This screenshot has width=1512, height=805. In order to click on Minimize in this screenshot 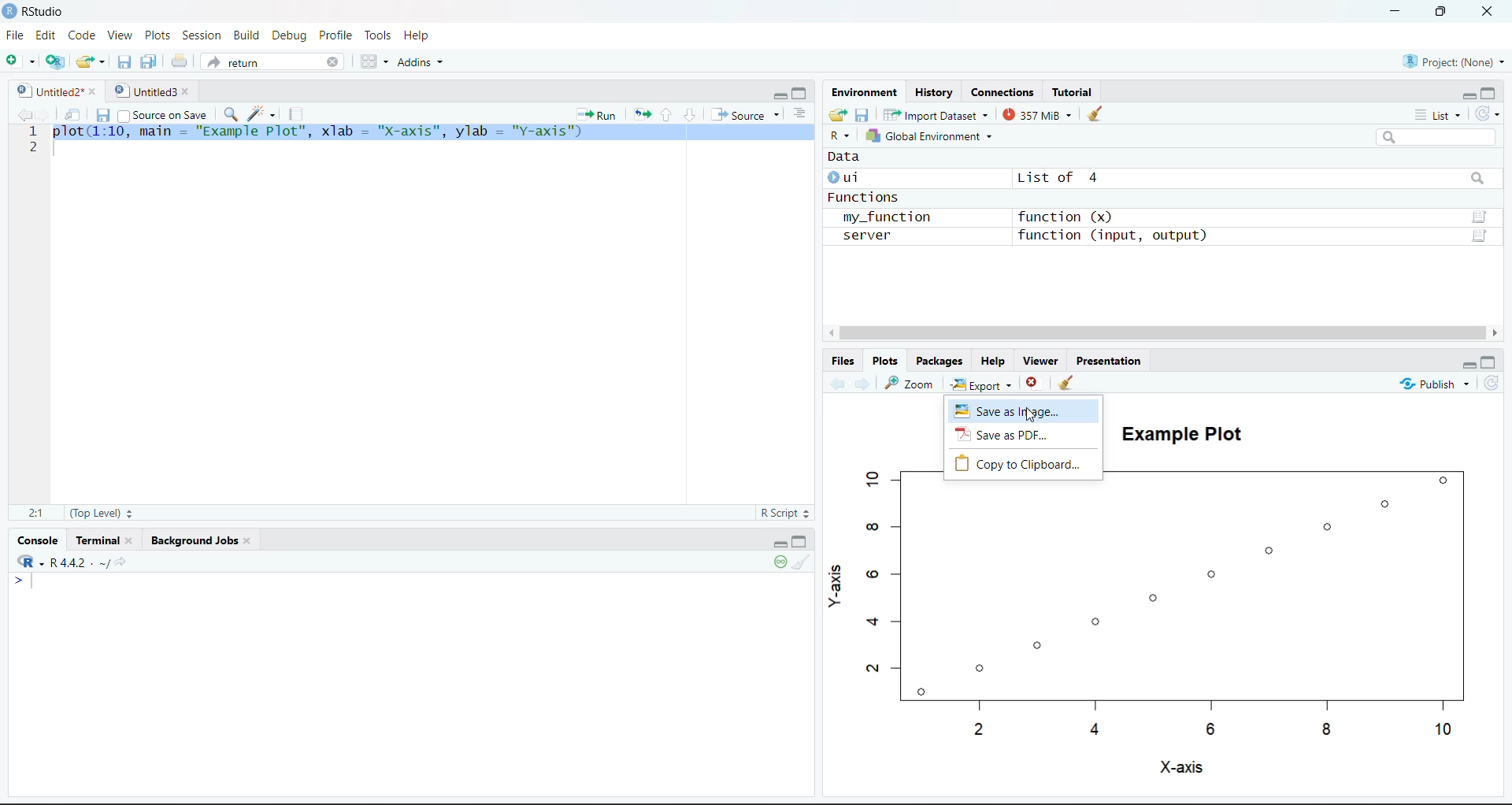, I will do `click(777, 542)`.